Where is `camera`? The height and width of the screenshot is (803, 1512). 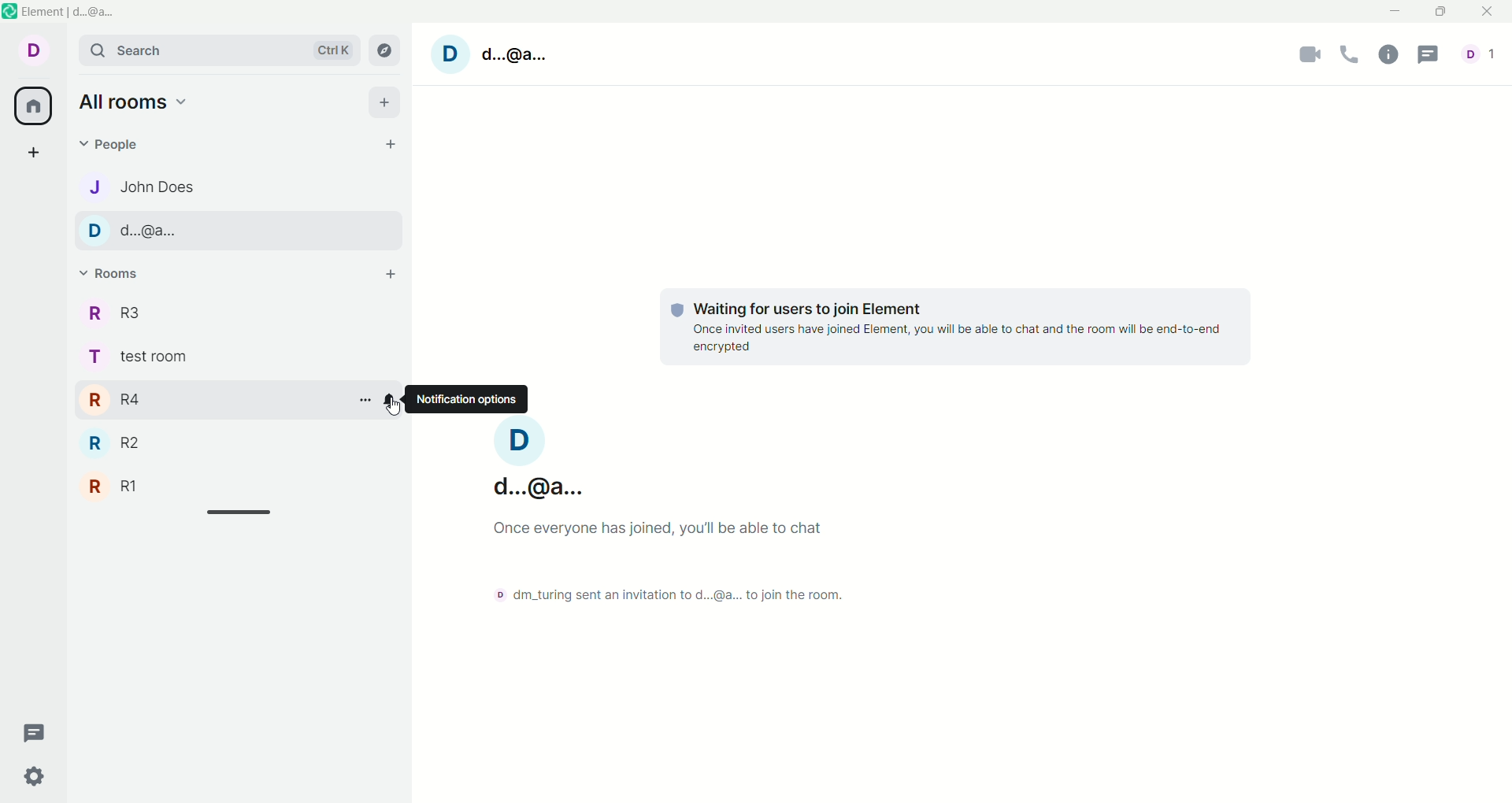
camera is located at coordinates (1307, 56).